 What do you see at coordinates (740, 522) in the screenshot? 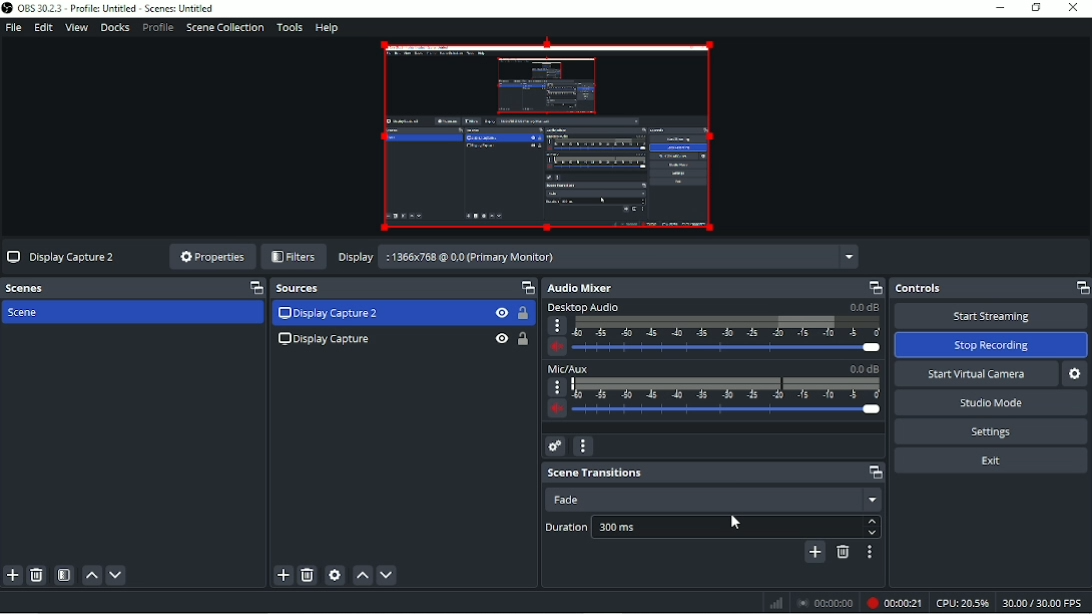
I see `Pointer` at bounding box center [740, 522].